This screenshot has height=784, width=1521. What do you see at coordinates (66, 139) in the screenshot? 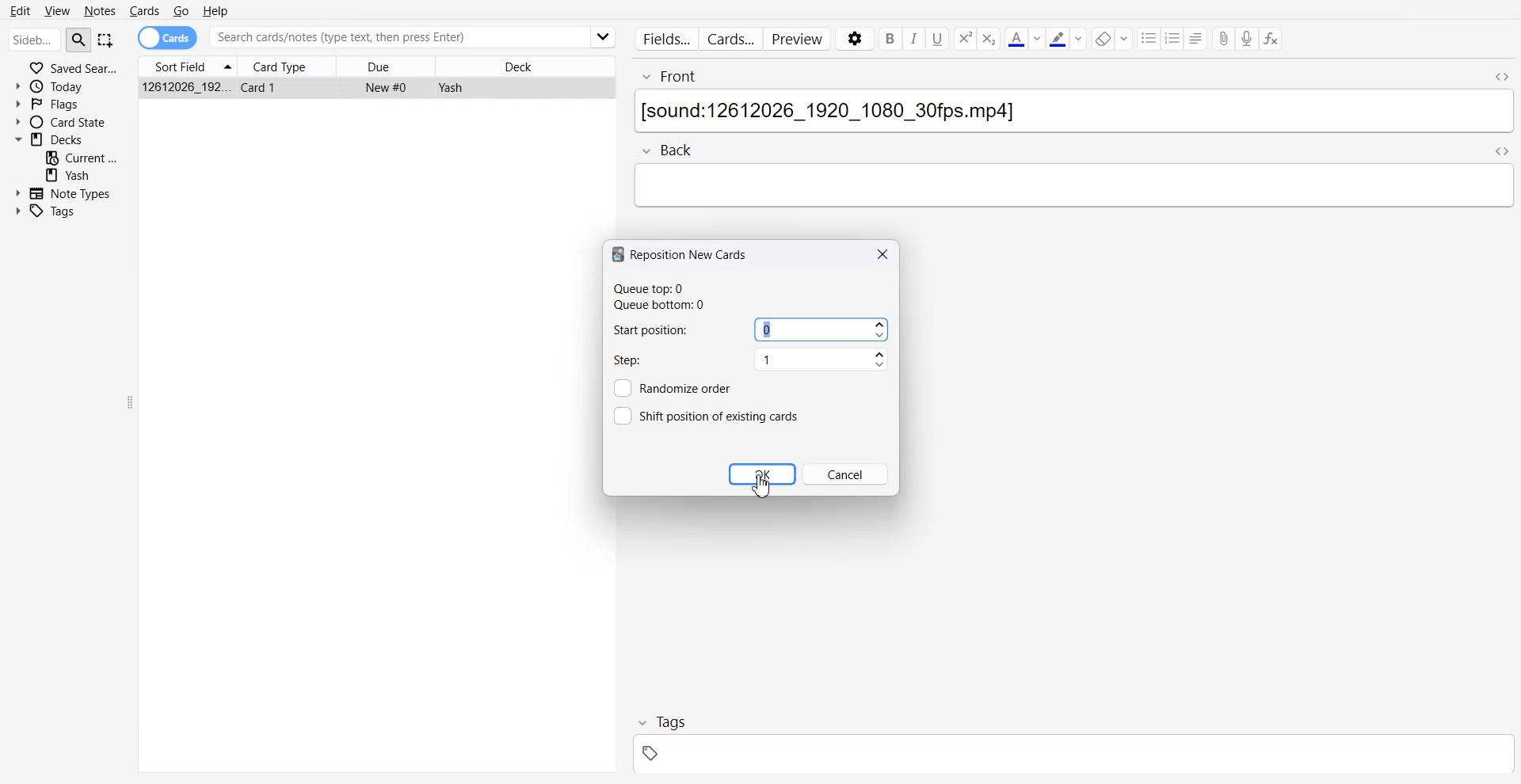
I see `Deck` at bounding box center [66, 139].